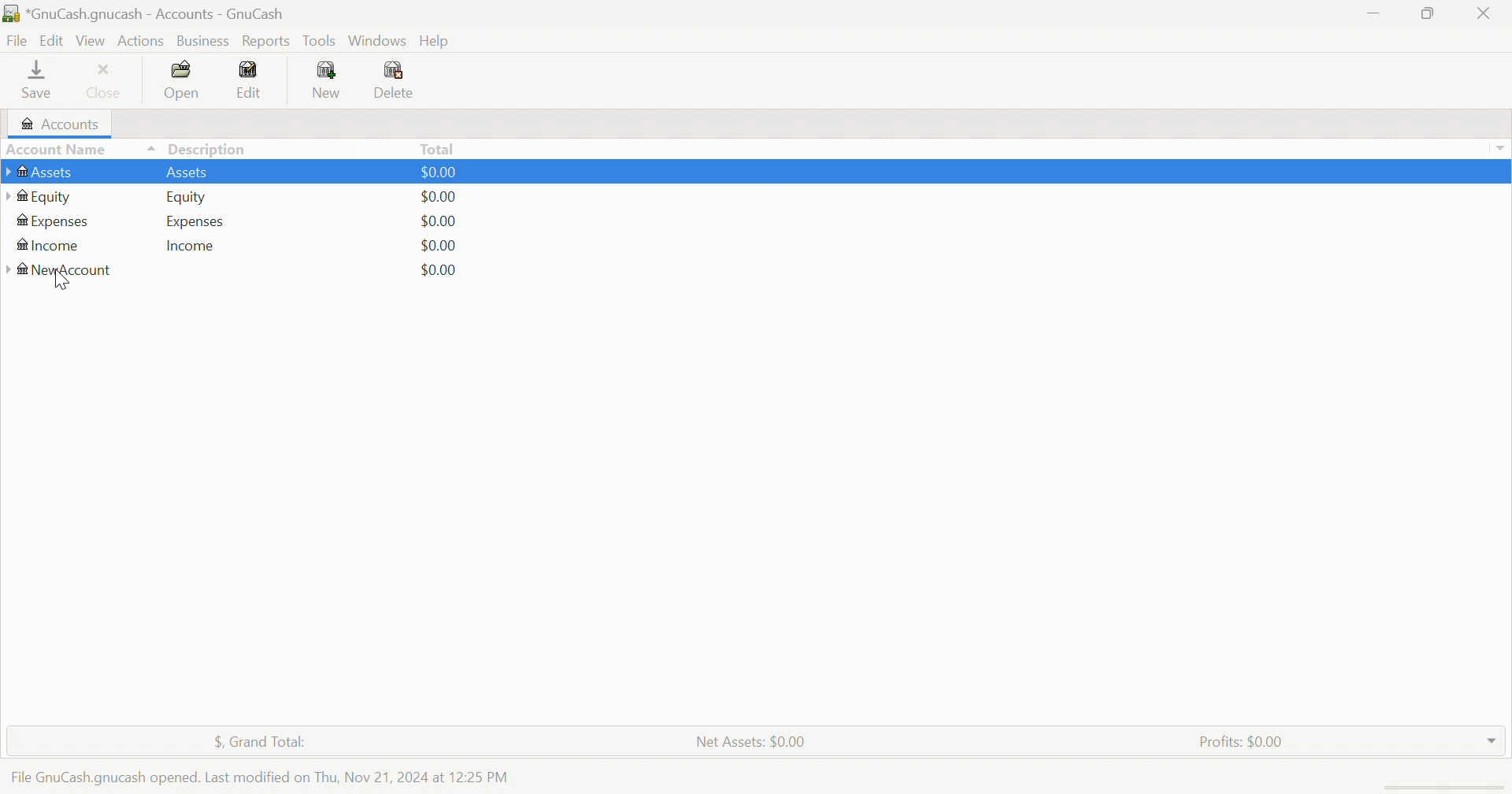  I want to click on Delete, so click(398, 82).